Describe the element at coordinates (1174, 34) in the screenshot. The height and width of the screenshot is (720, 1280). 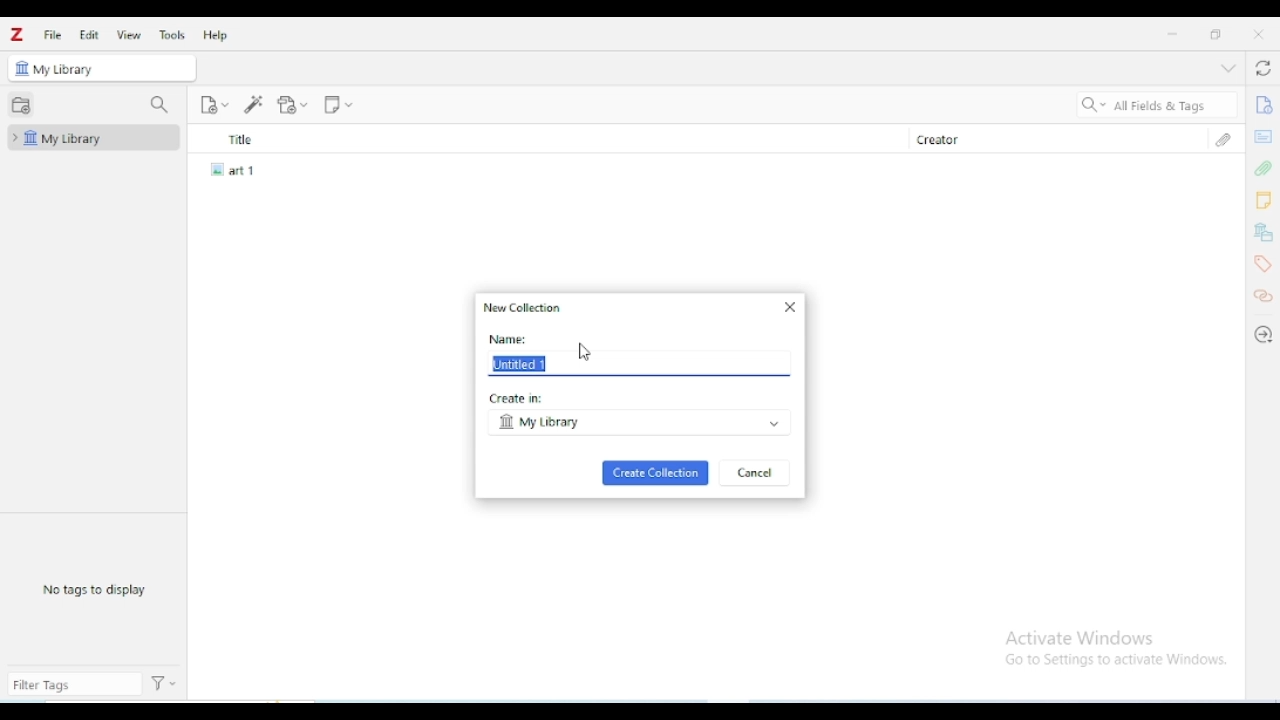
I see `minimize` at that location.